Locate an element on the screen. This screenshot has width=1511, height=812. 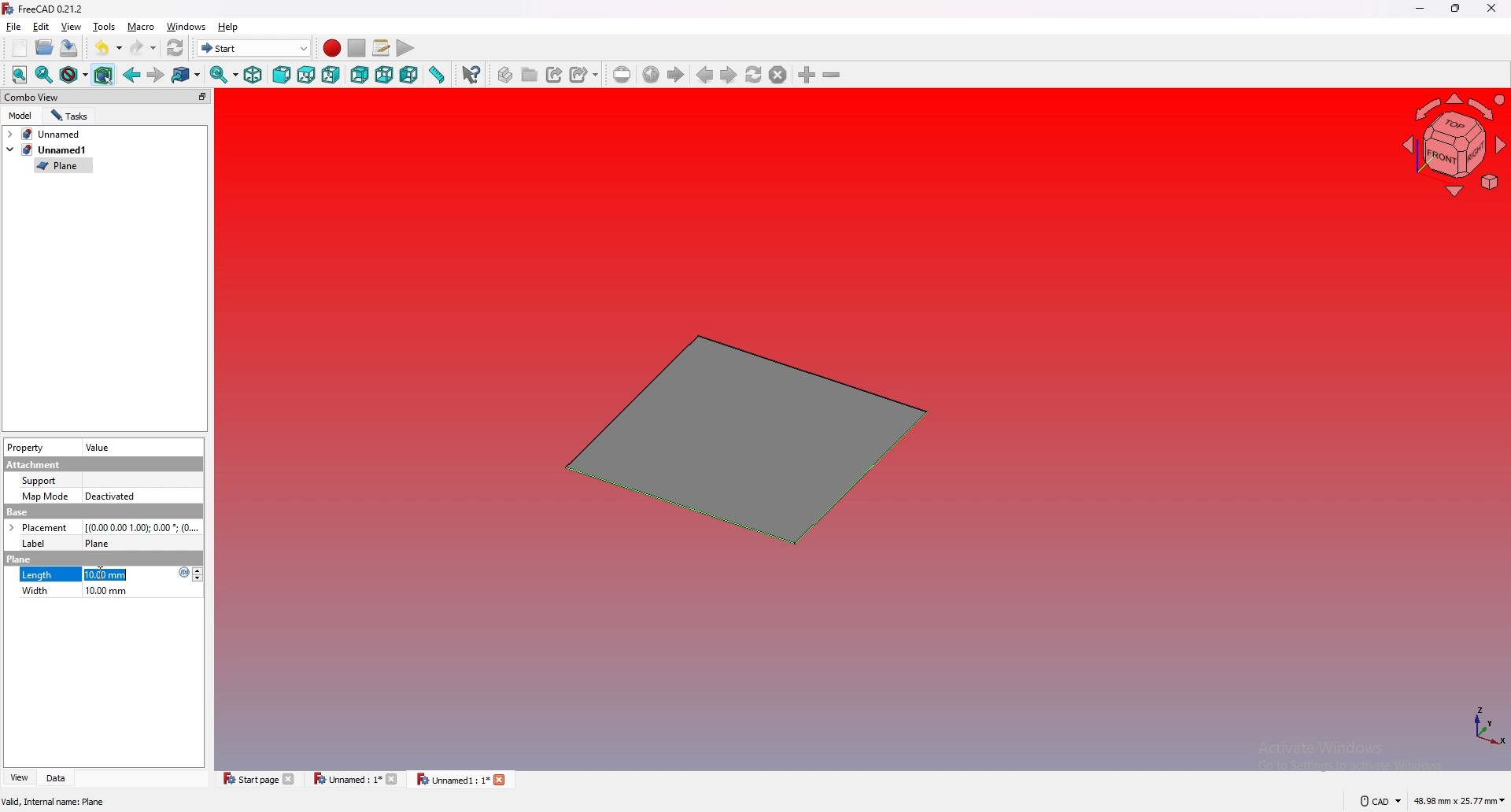
Support is located at coordinates (40, 481).